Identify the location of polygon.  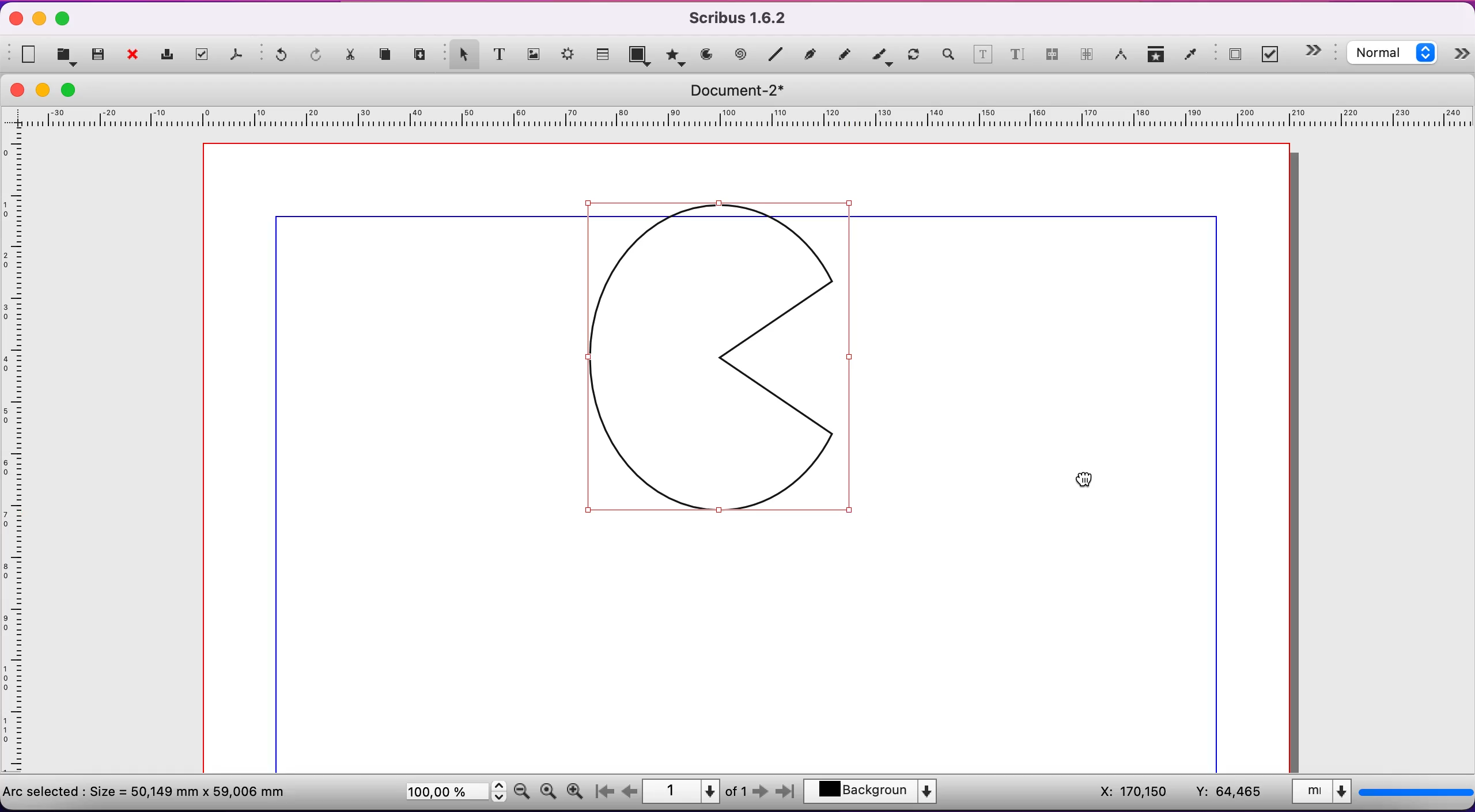
(674, 55).